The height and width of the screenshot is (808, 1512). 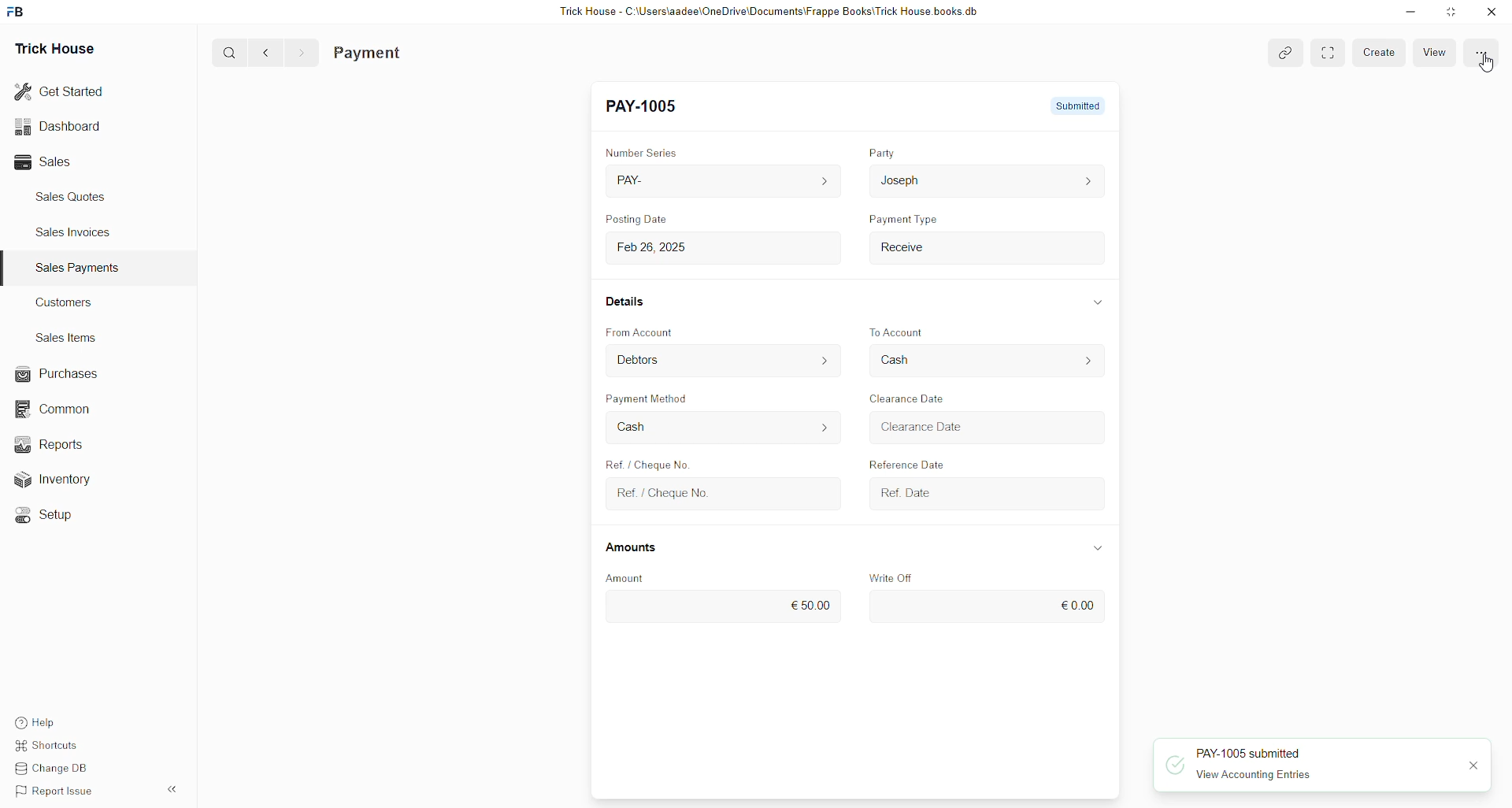 What do you see at coordinates (625, 724) in the screenshot?
I see `#` at bounding box center [625, 724].